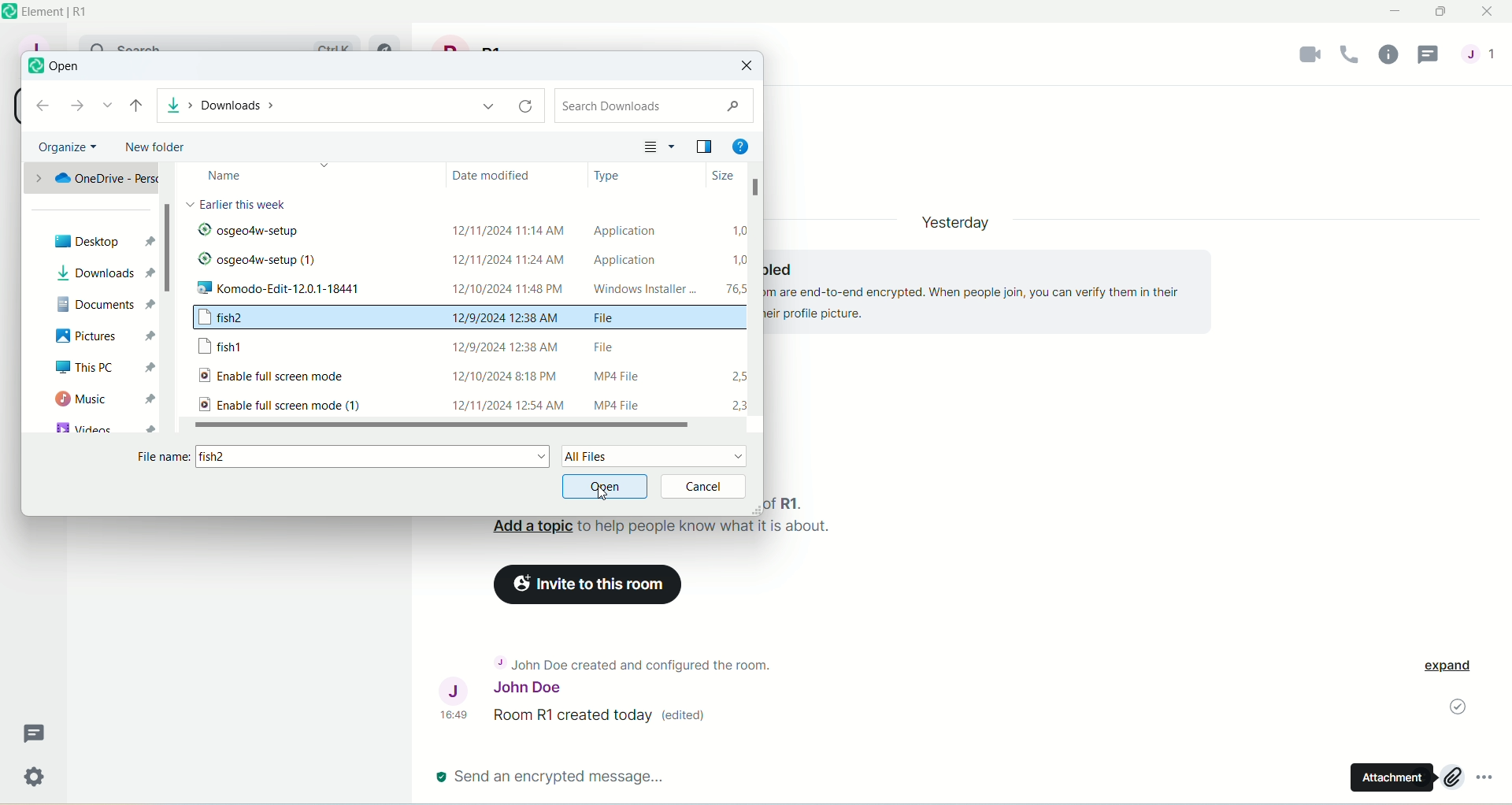  Describe the element at coordinates (607, 493) in the screenshot. I see `cursor` at that location.